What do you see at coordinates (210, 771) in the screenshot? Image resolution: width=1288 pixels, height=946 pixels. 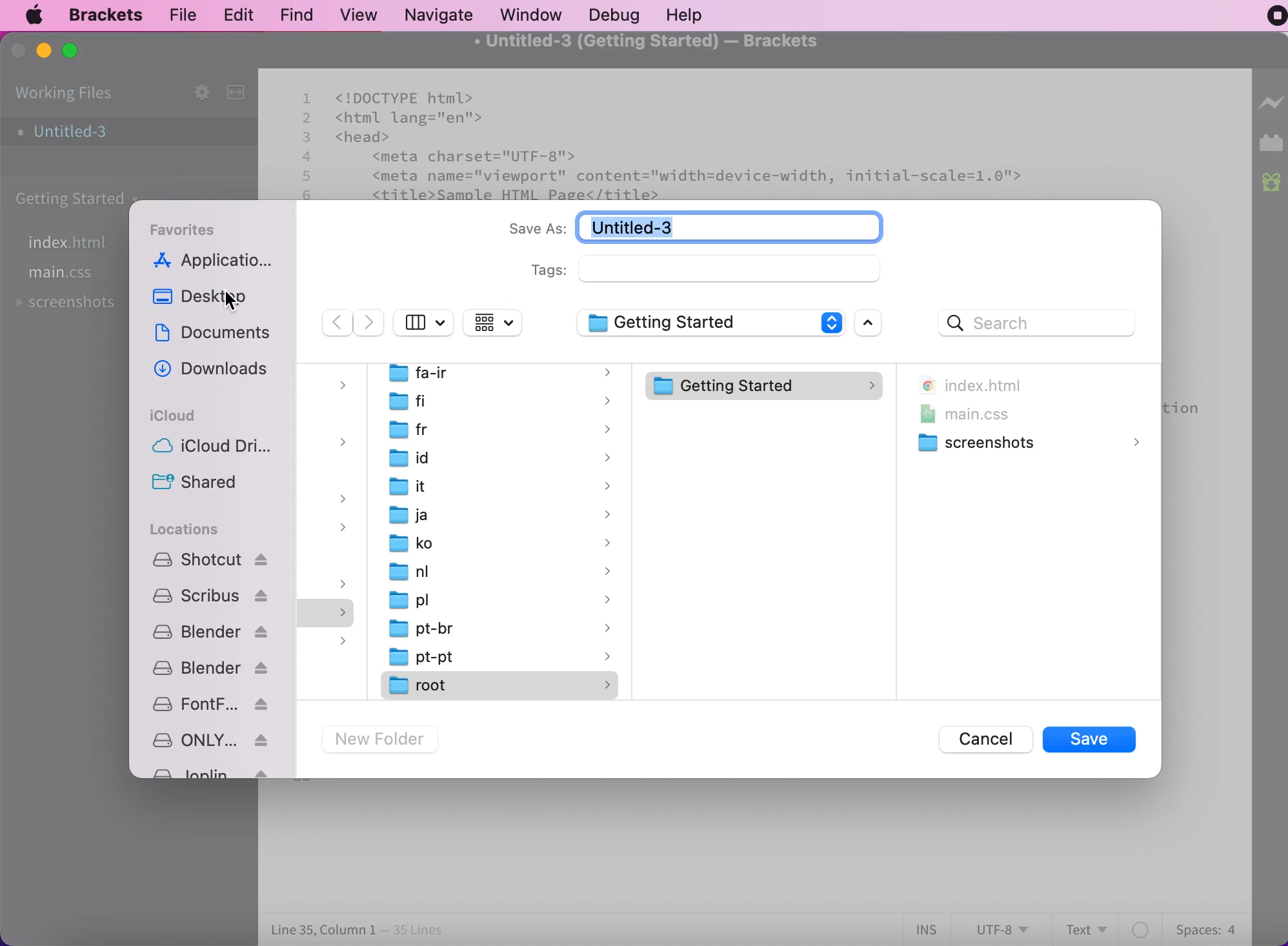 I see `Joplin` at bounding box center [210, 771].